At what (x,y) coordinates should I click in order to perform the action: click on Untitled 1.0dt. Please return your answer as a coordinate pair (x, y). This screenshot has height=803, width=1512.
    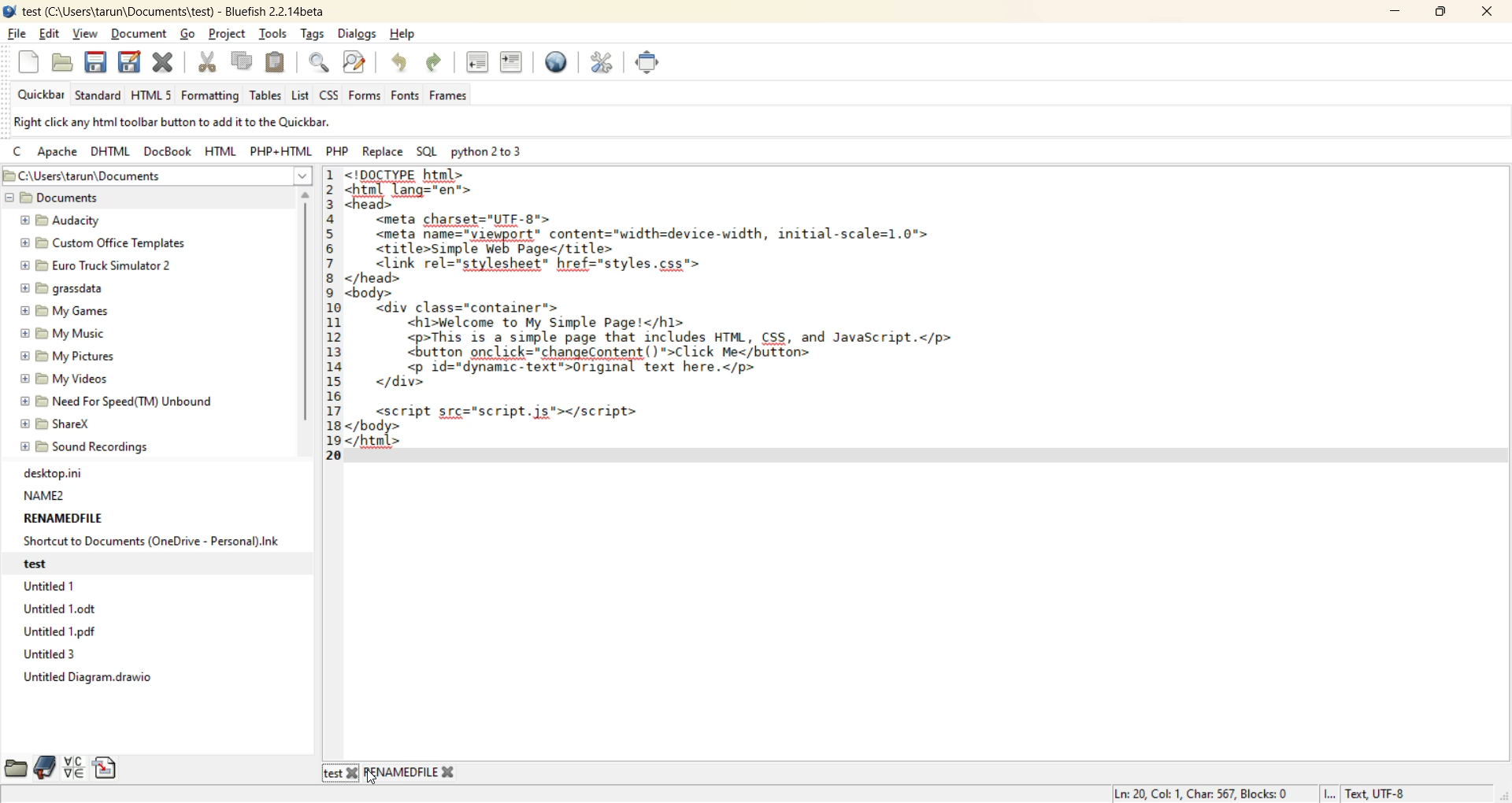
    Looking at the image, I should click on (73, 608).